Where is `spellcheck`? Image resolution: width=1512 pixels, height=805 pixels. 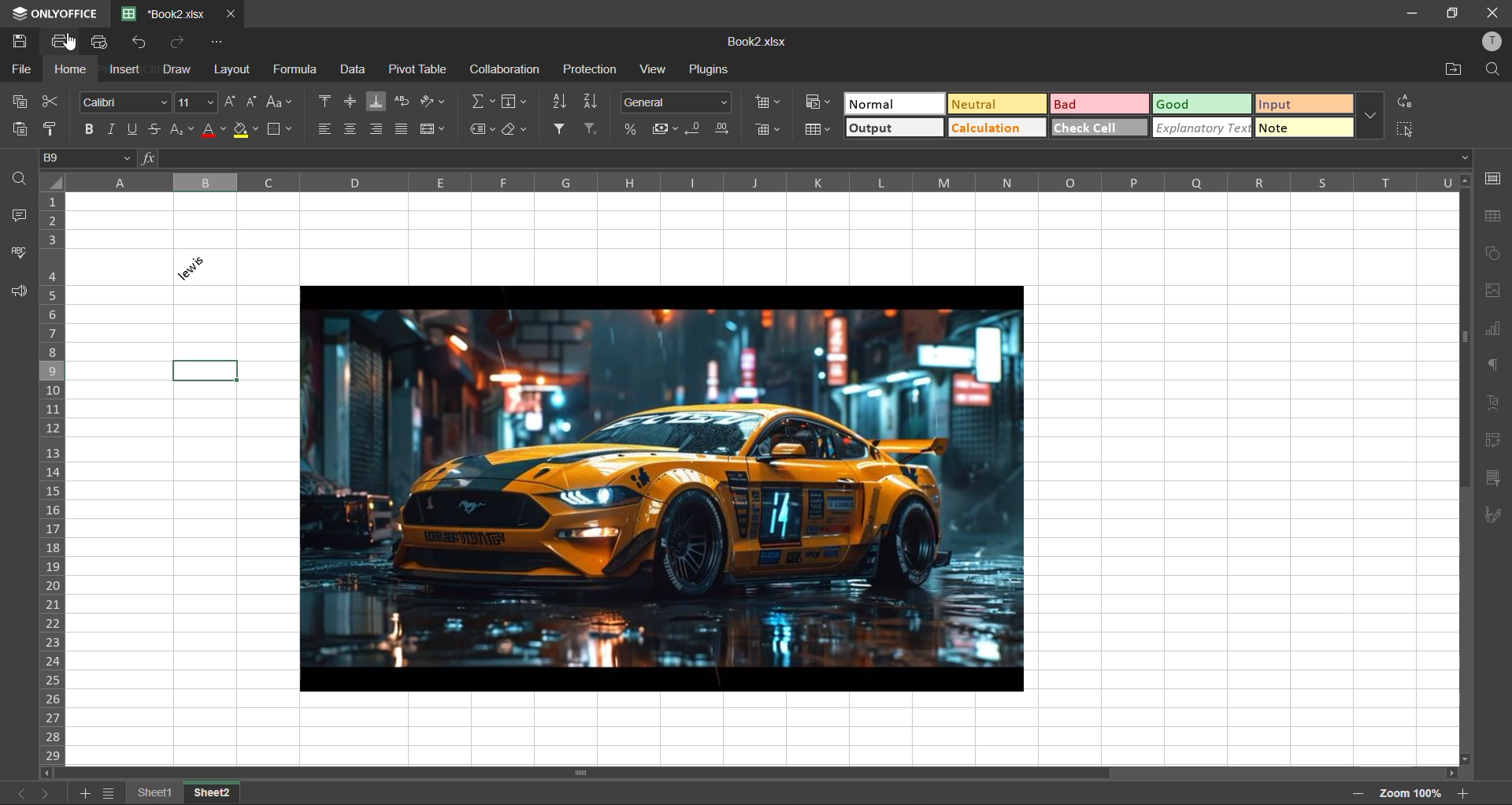
spellcheck is located at coordinates (17, 257).